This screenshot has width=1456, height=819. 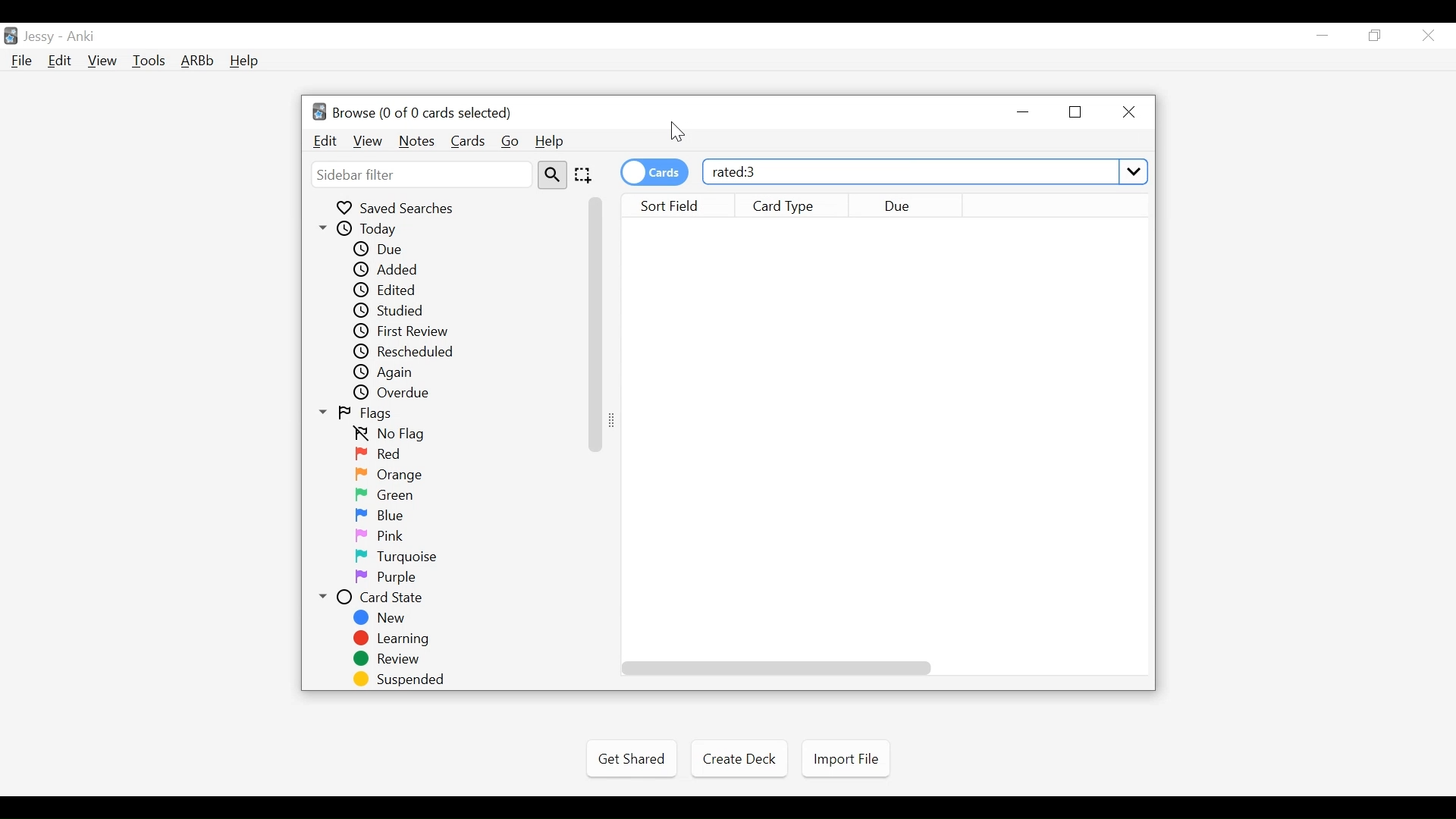 What do you see at coordinates (103, 61) in the screenshot?
I see `View` at bounding box center [103, 61].